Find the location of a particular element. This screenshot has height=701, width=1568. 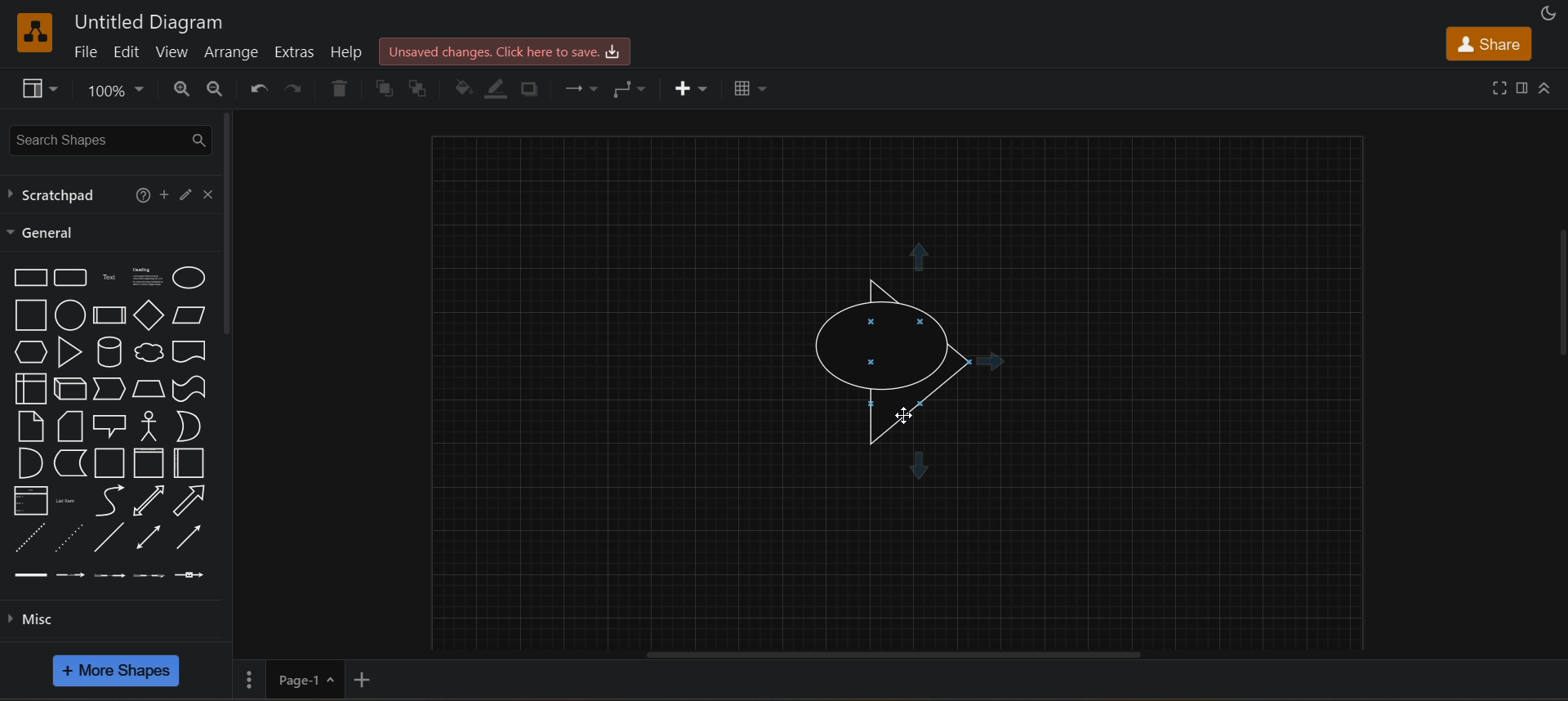

bidirectional arrow is located at coordinates (145, 501).